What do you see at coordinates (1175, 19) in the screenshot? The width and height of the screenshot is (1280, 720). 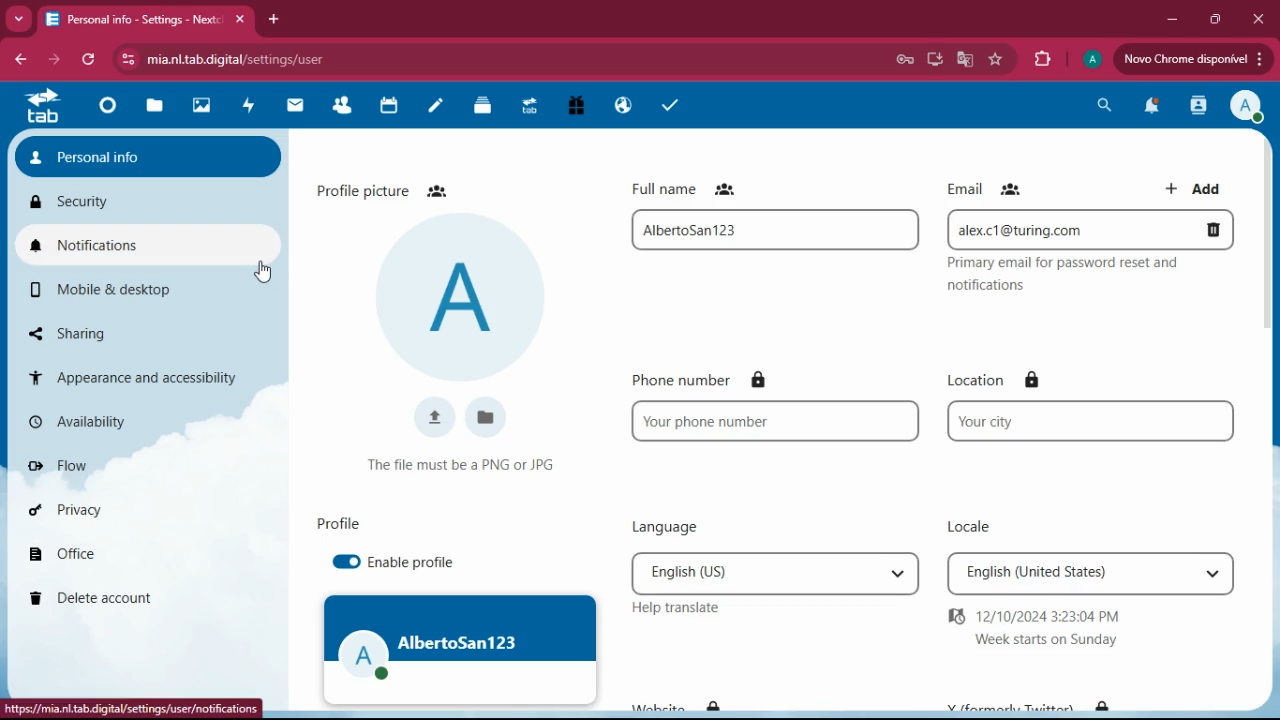 I see `minimize` at bounding box center [1175, 19].